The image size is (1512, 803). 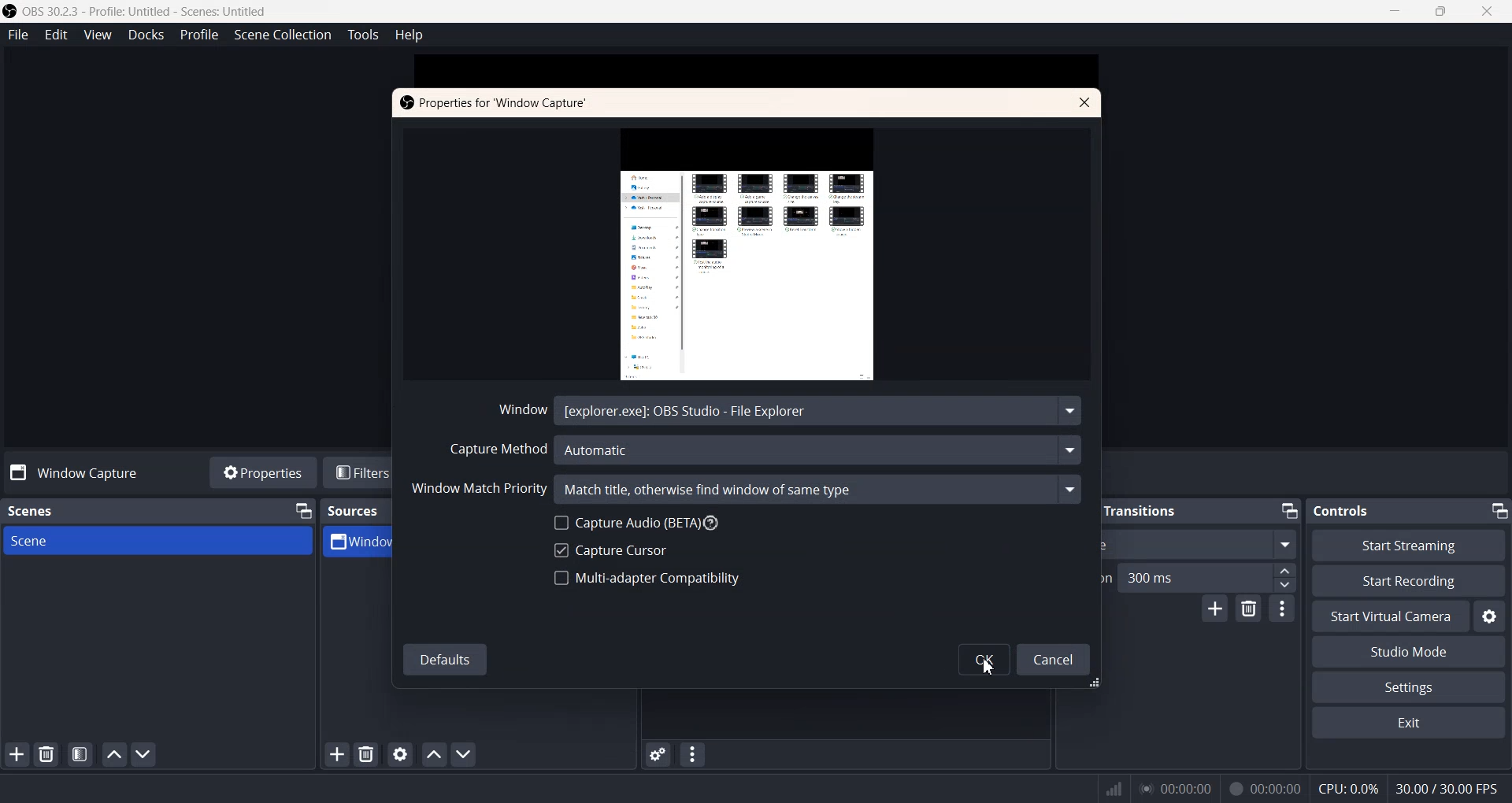 I want to click on Window, so click(x=746, y=252).